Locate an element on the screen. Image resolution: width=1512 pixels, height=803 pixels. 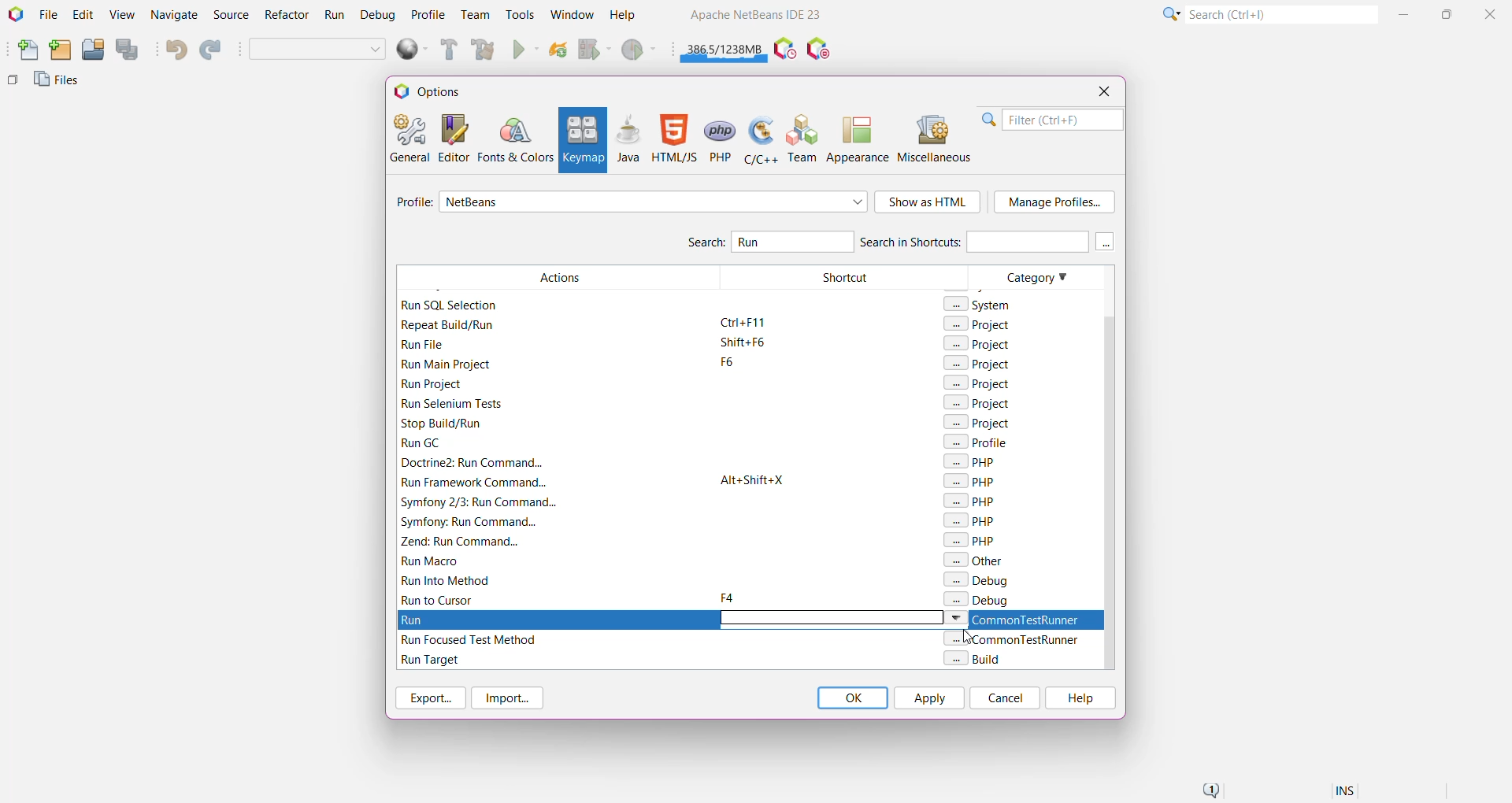
File is located at coordinates (48, 15).